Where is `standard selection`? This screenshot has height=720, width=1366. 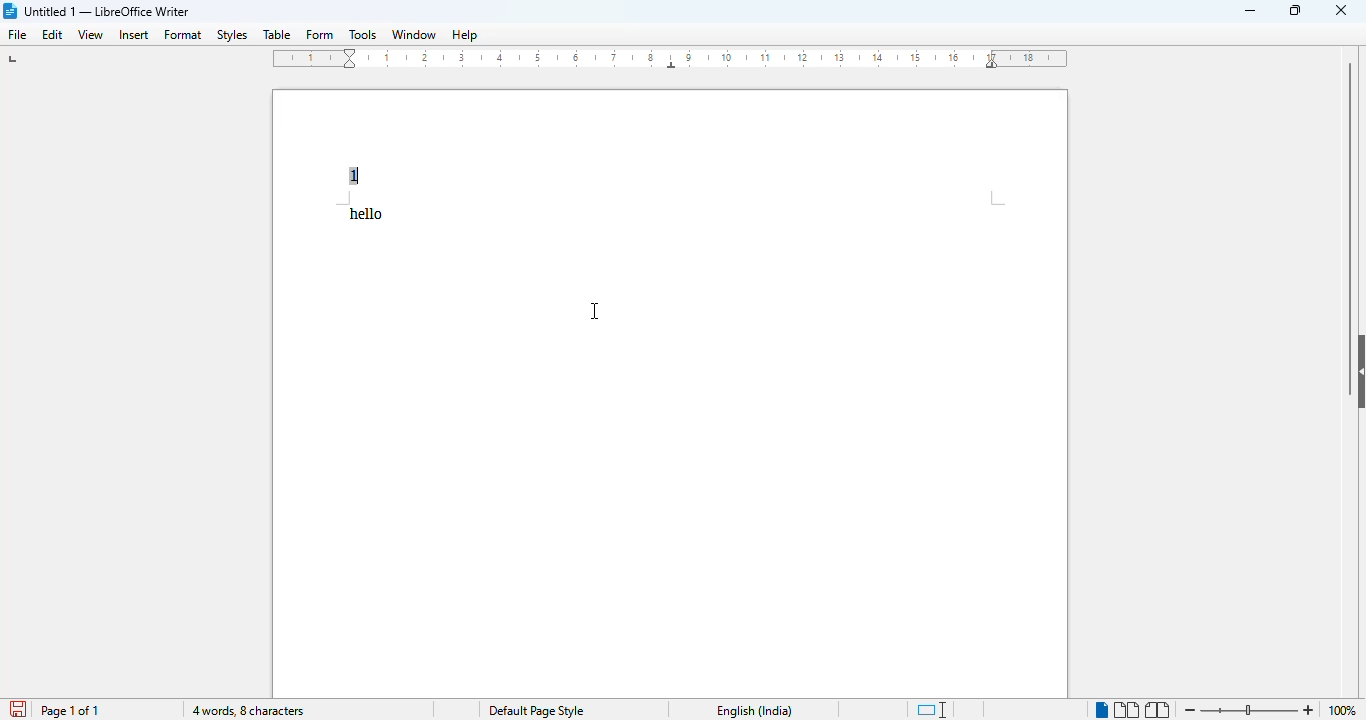 standard selection is located at coordinates (932, 710).